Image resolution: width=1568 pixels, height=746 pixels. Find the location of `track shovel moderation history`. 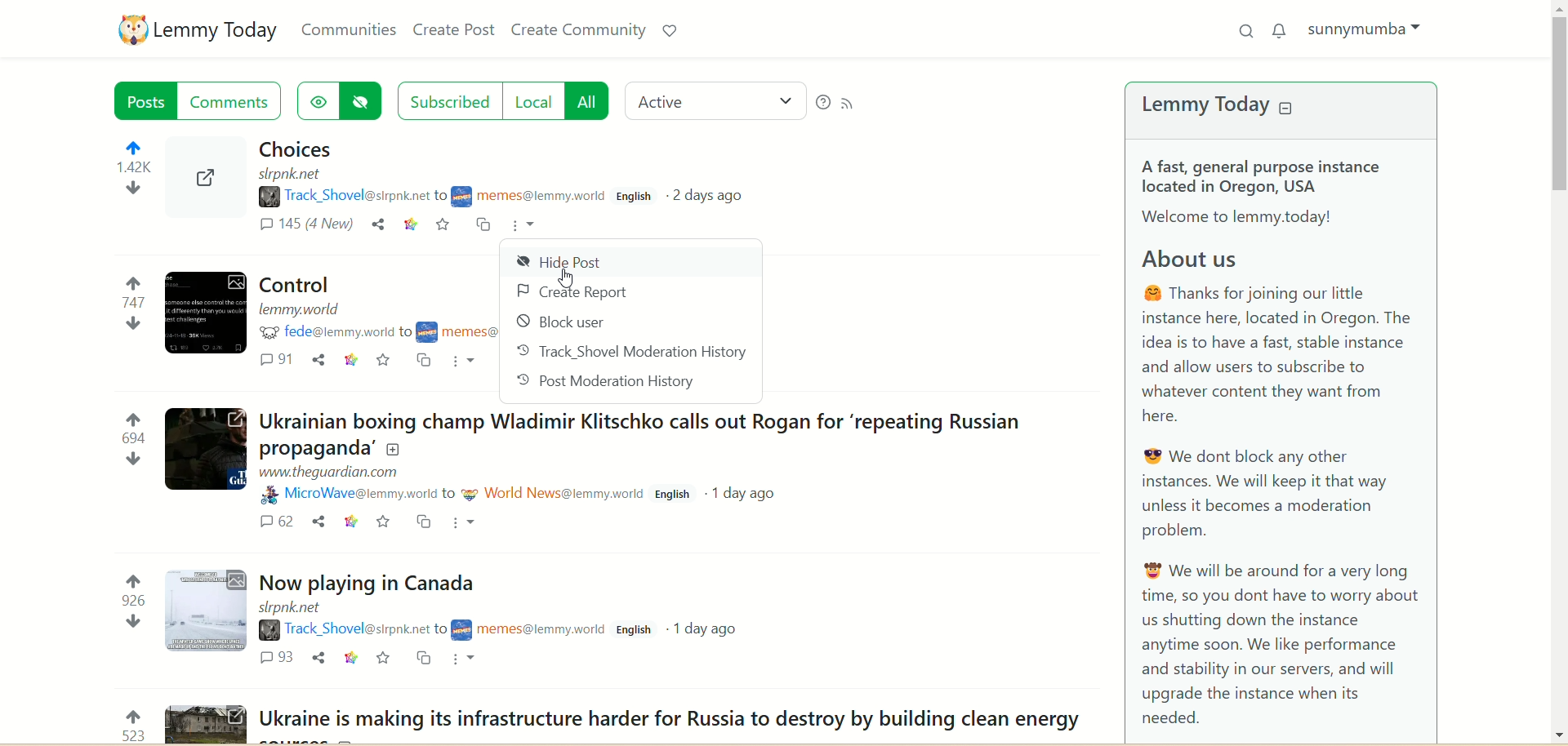

track shovel moderation history is located at coordinates (631, 353).